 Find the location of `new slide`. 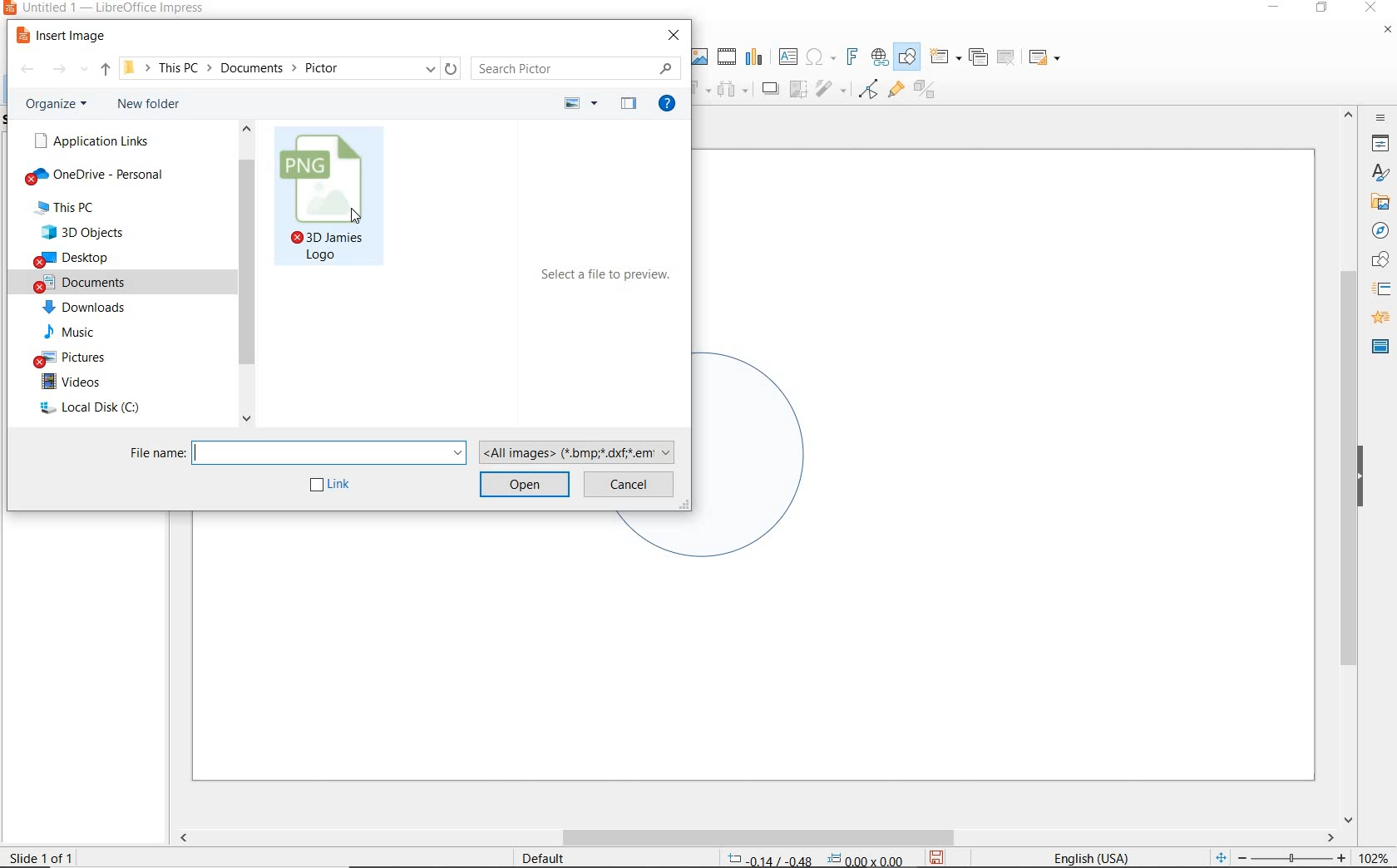

new slide is located at coordinates (945, 57).